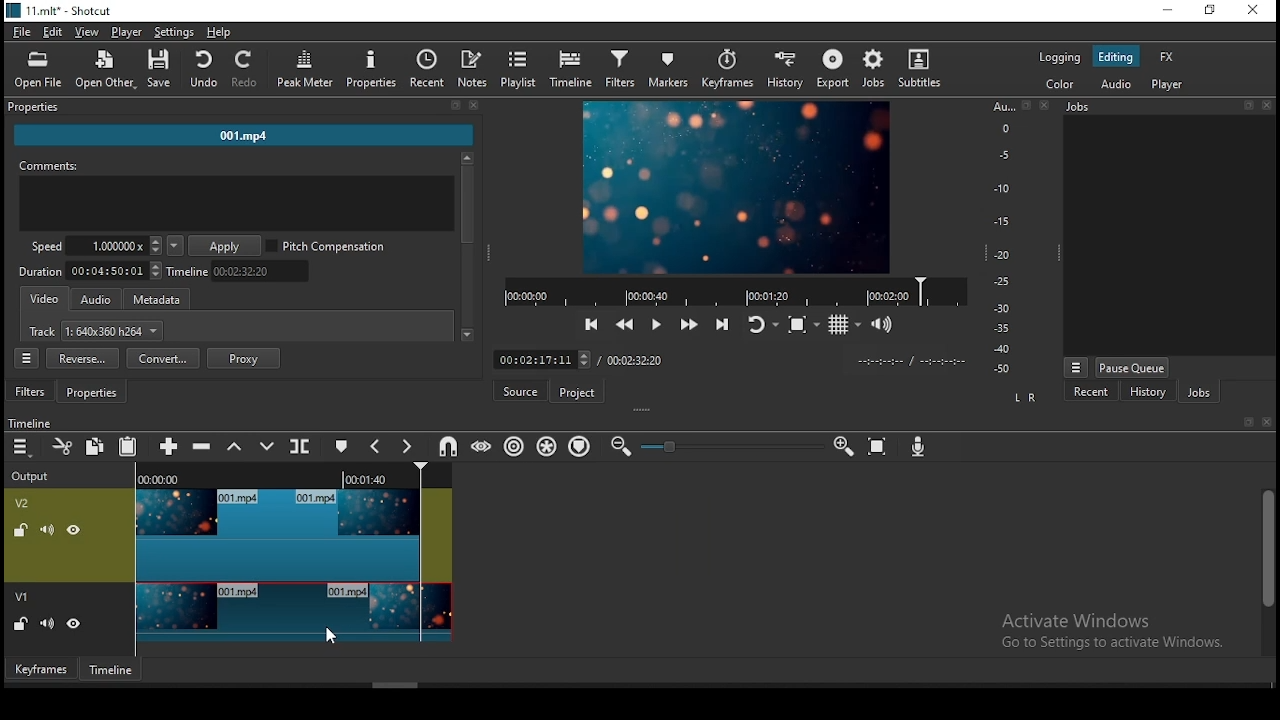 The height and width of the screenshot is (720, 1280). What do you see at coordinates (515, 446) in the screenshot?
I see `ripple` at bounding box center [515, 446].